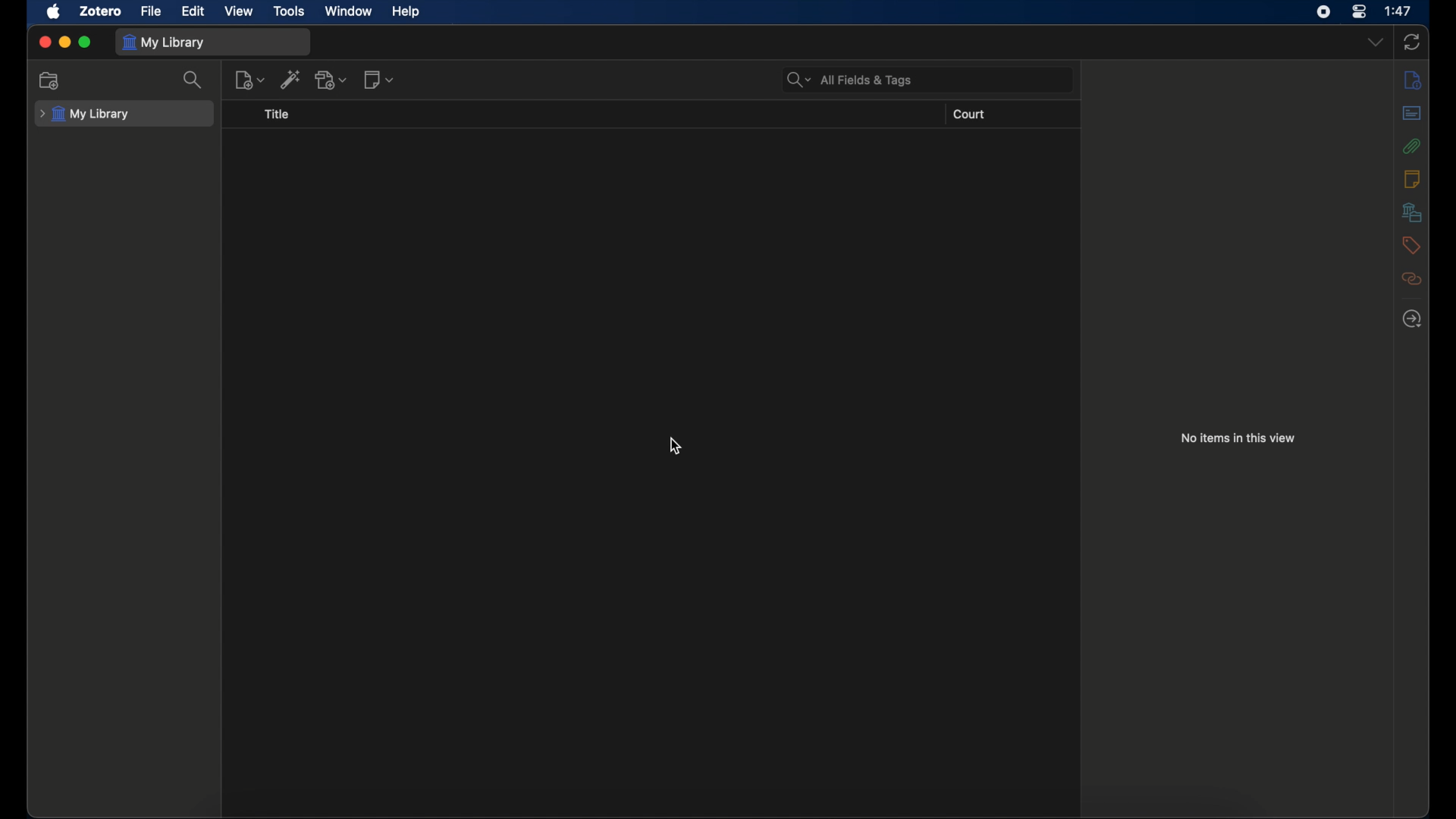 This screenshot has height=819, width=1456. Describe the element at coordinates (1398, 10) in the screenshot. I see `time (1:47)` at that location.